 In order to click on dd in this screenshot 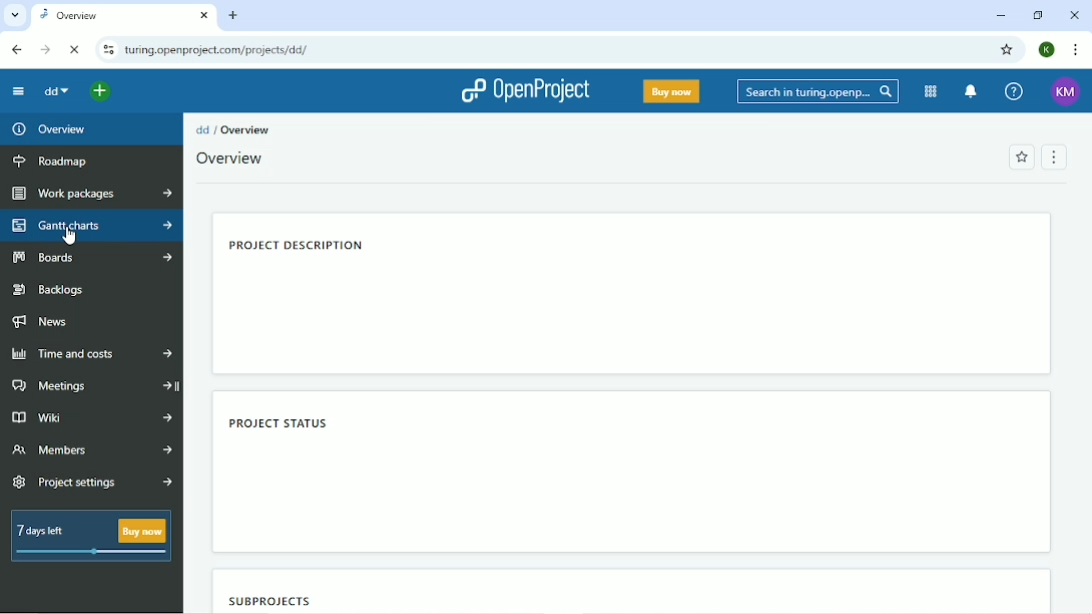, I will do `click(202, 130)`.